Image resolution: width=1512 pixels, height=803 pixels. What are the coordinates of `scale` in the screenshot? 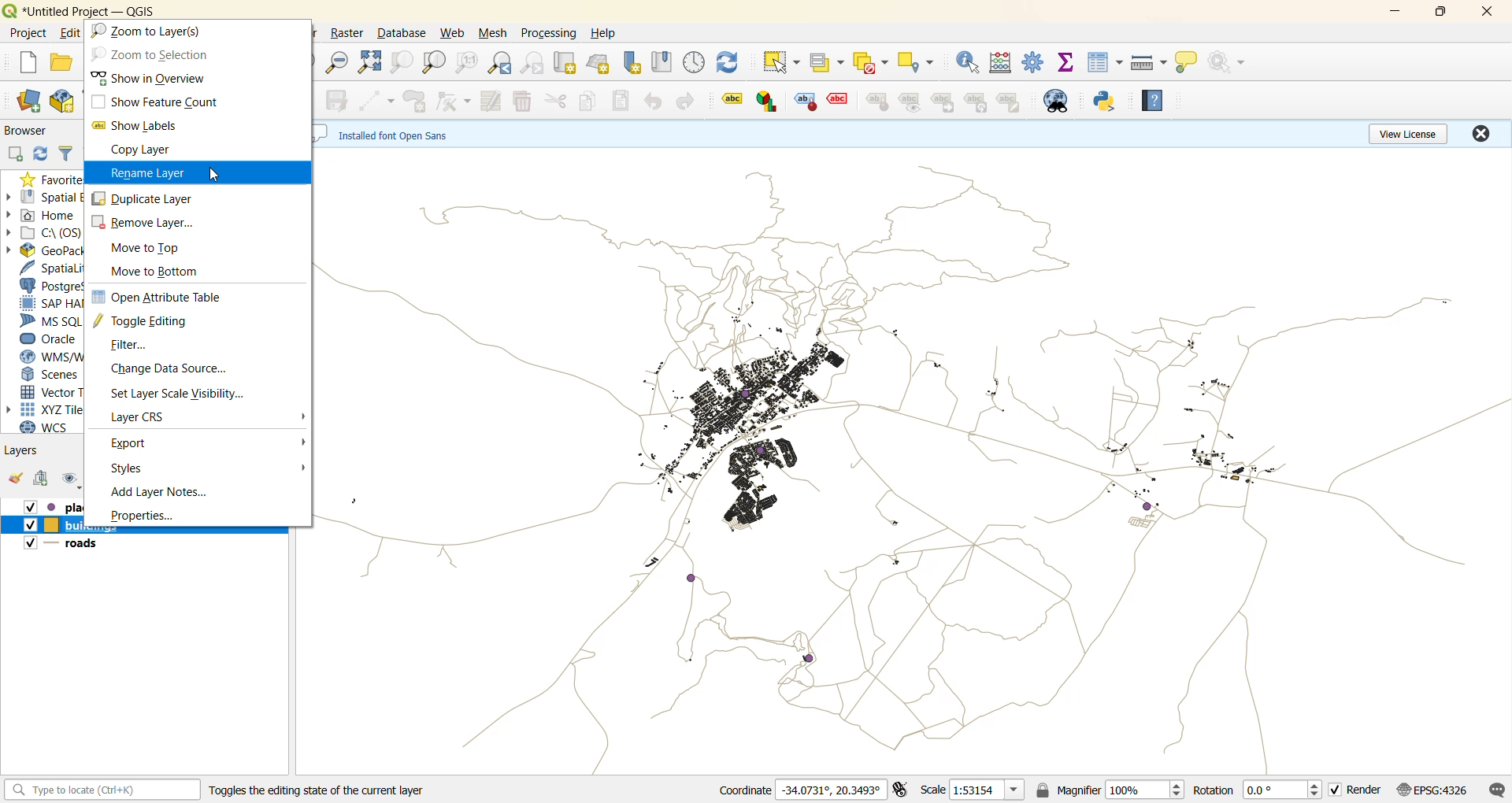 It's located at (981, 790).